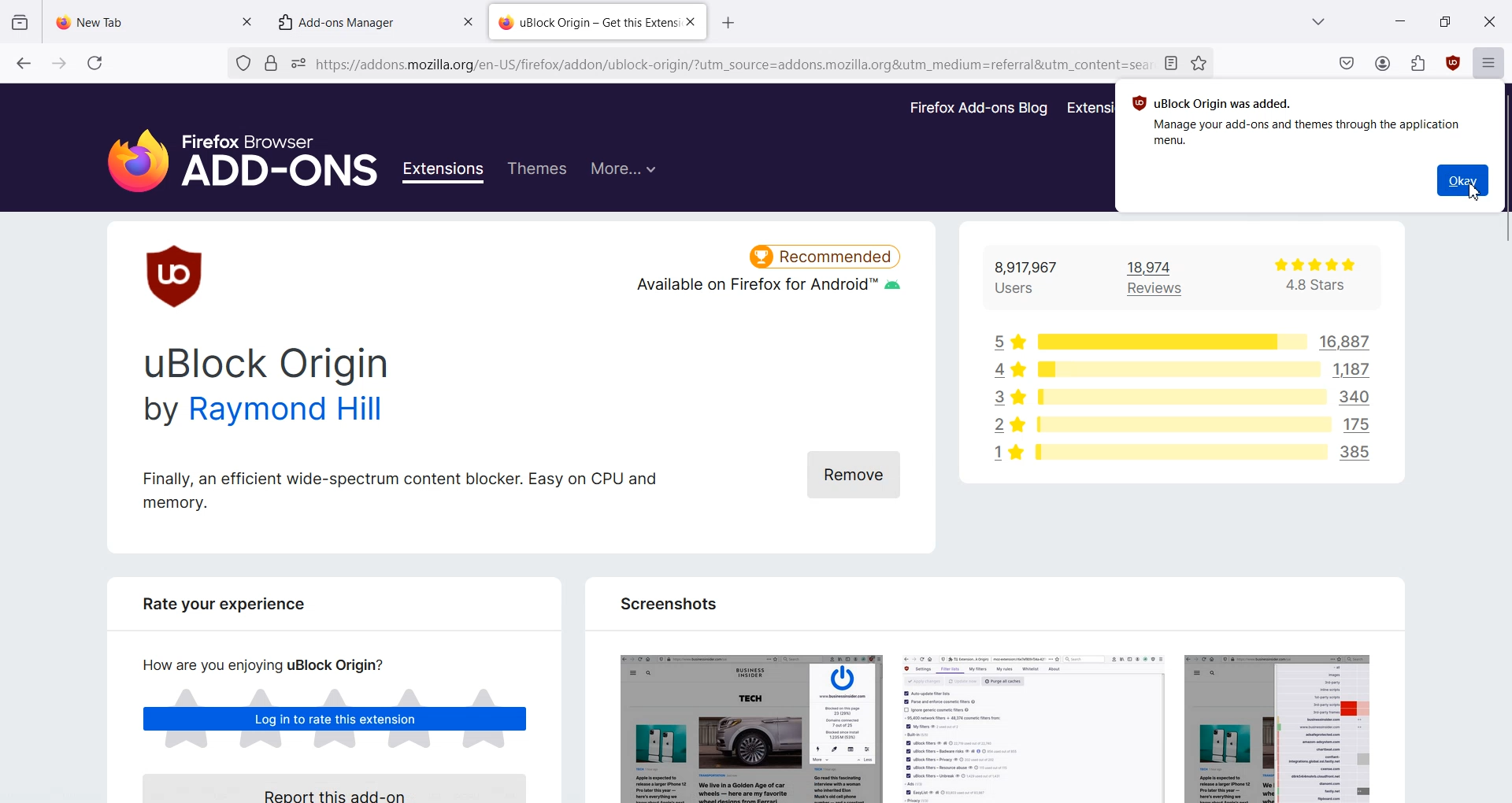 The width and height of the screenshot is (1512, 803). What do you see at coordinates (1475, 192) in the screenshot?
I see `Cursor` at bounding box center [1475, 192].